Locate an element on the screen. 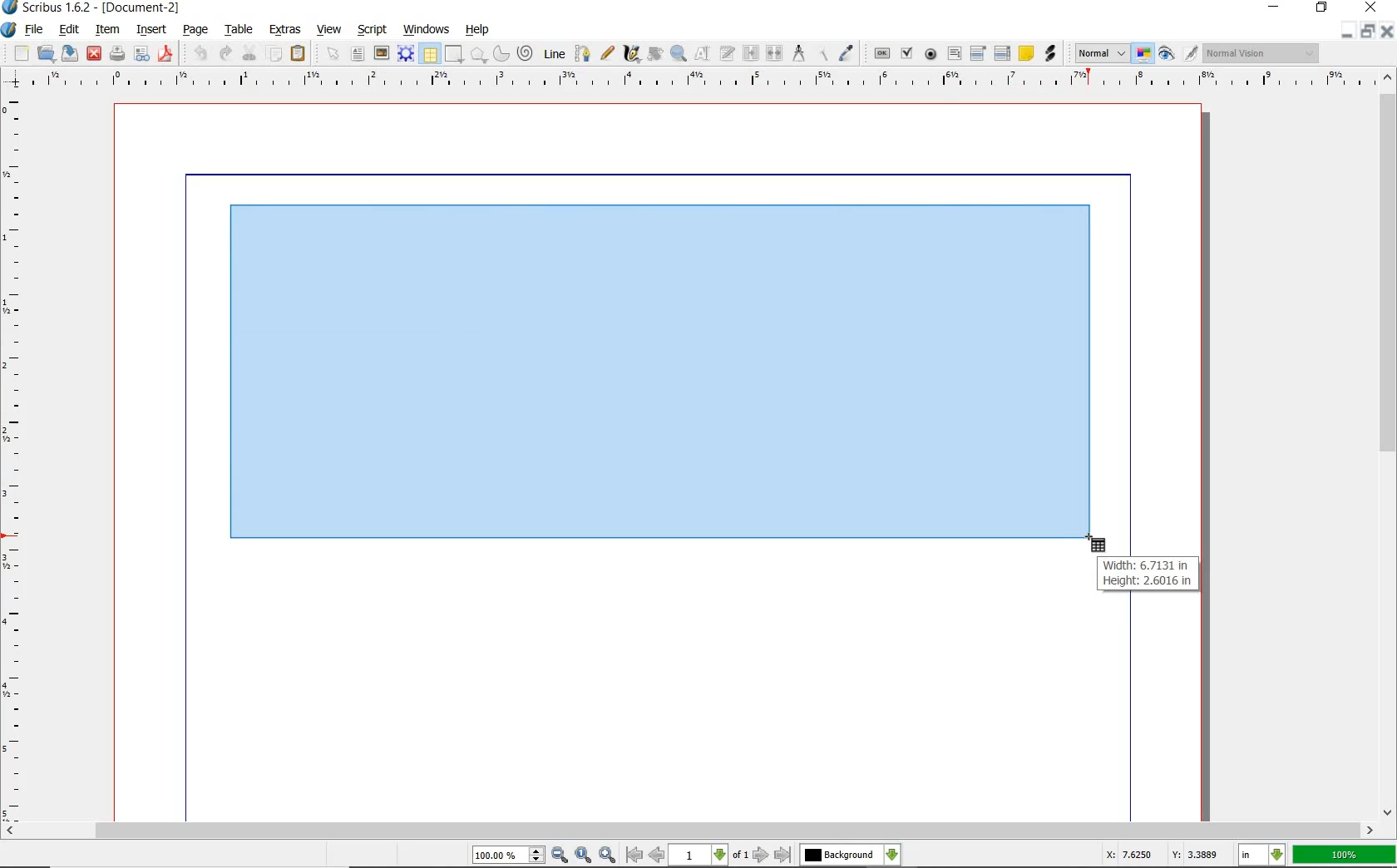  calligraphic line is located at coordinates (630, 55).